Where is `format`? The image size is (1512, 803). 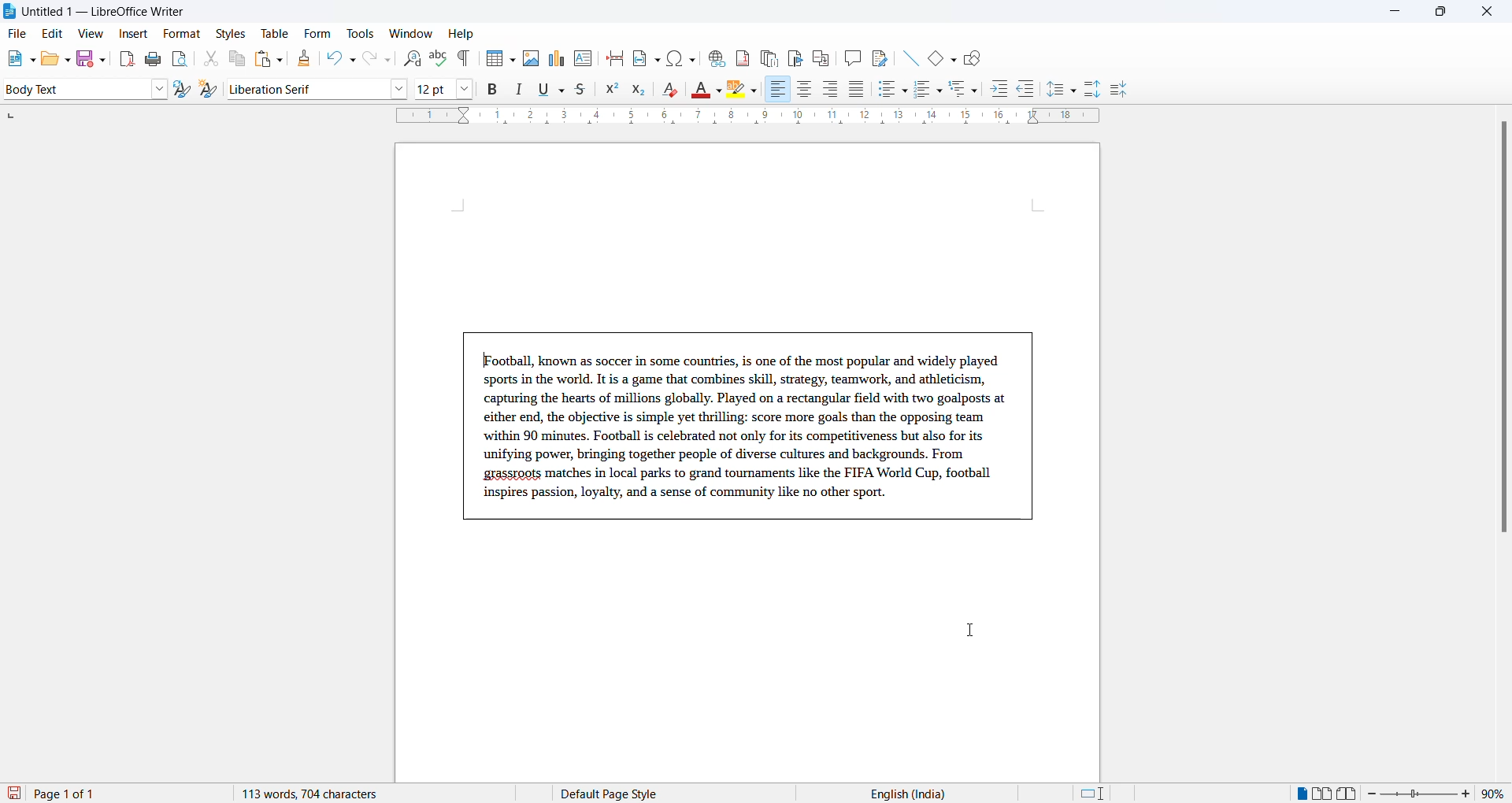 format is located at coordinates (178, 35).